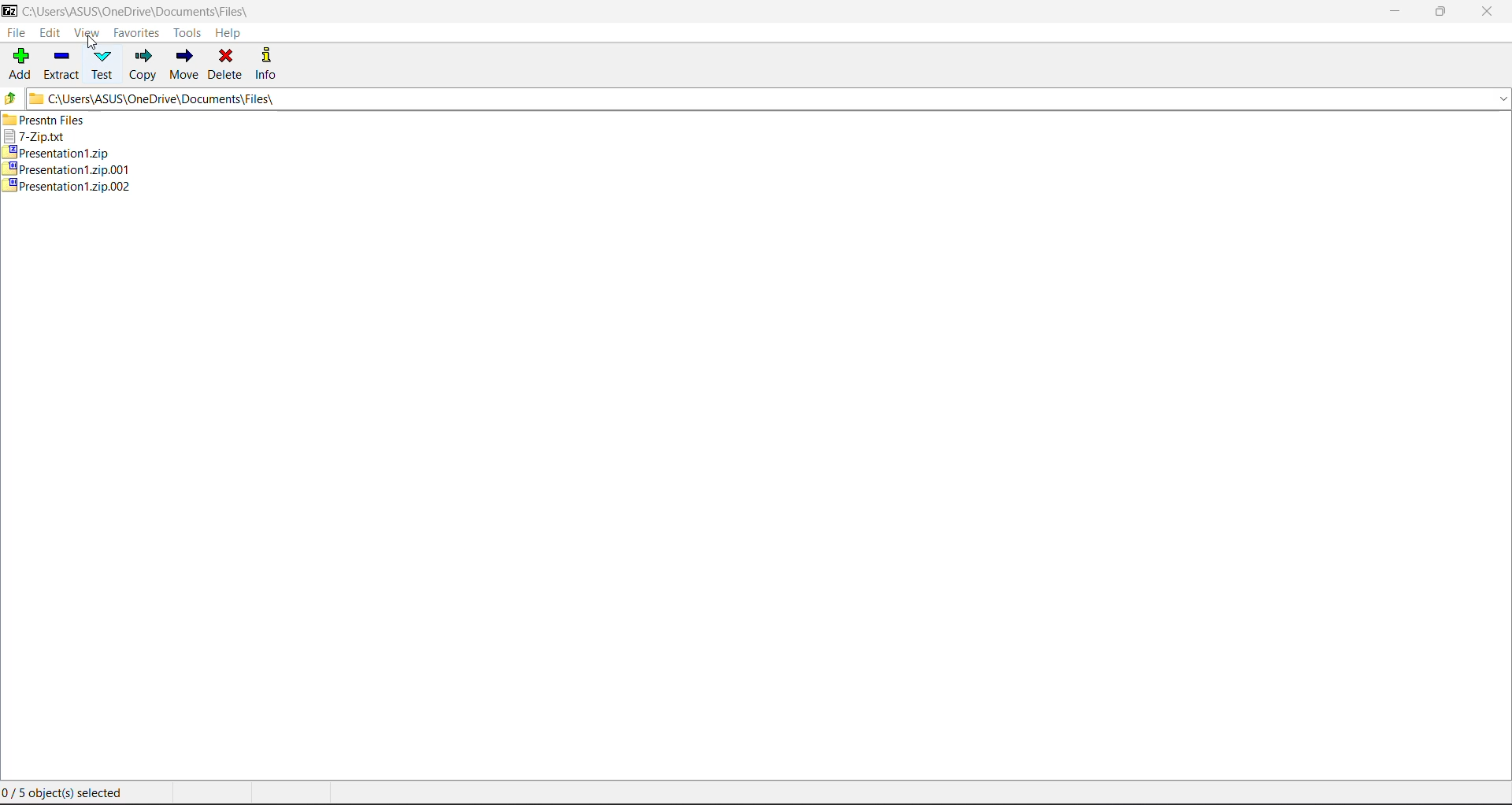 This screenshot has height=805, width=1512. Describe the element at coordinates (187, 32) in the screenshot. I see `Tools` at that location.